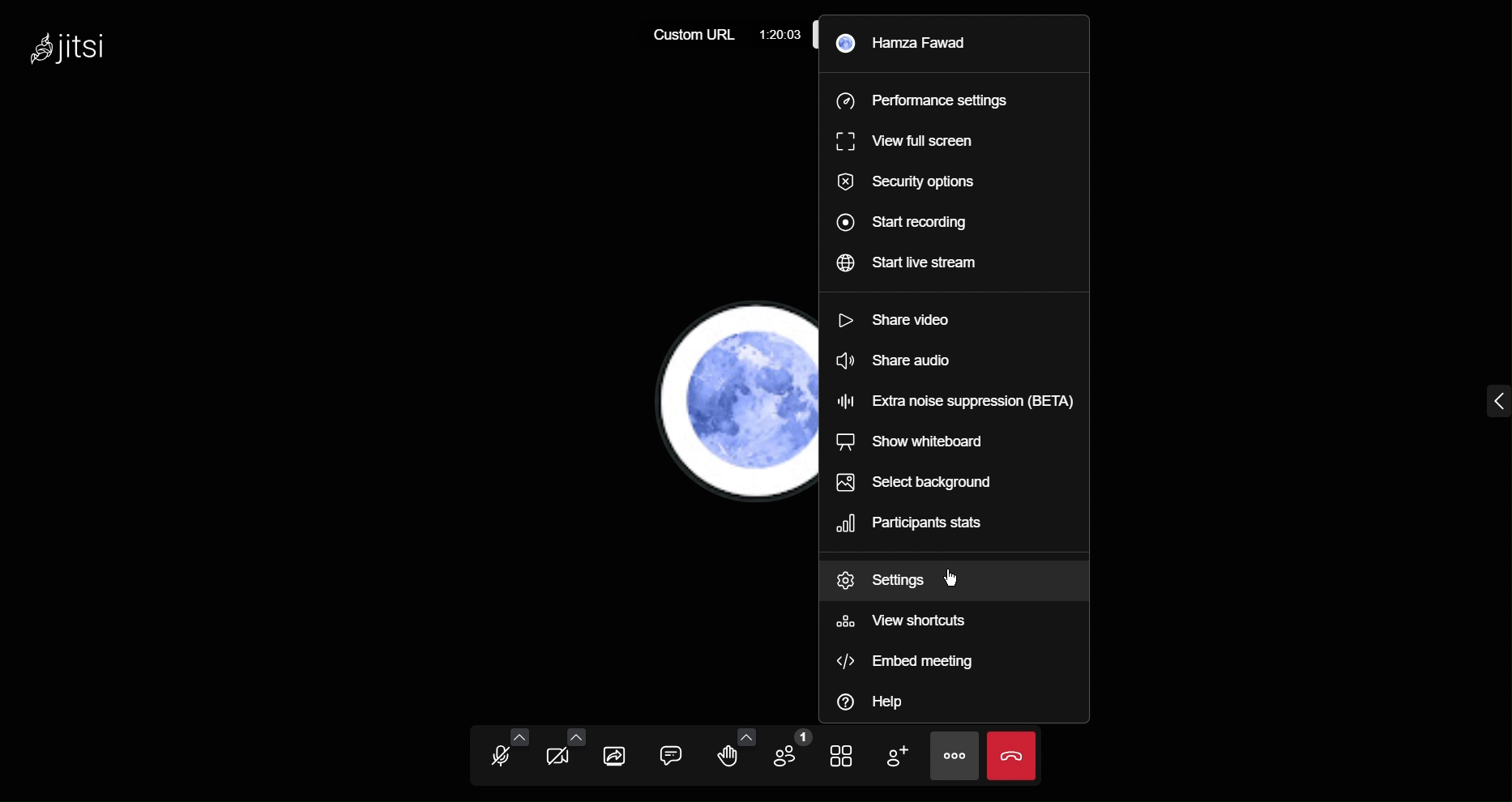  Describe the element at coordinates (720, 400) in the screenshot. I see `Account Profile picture` at that location.